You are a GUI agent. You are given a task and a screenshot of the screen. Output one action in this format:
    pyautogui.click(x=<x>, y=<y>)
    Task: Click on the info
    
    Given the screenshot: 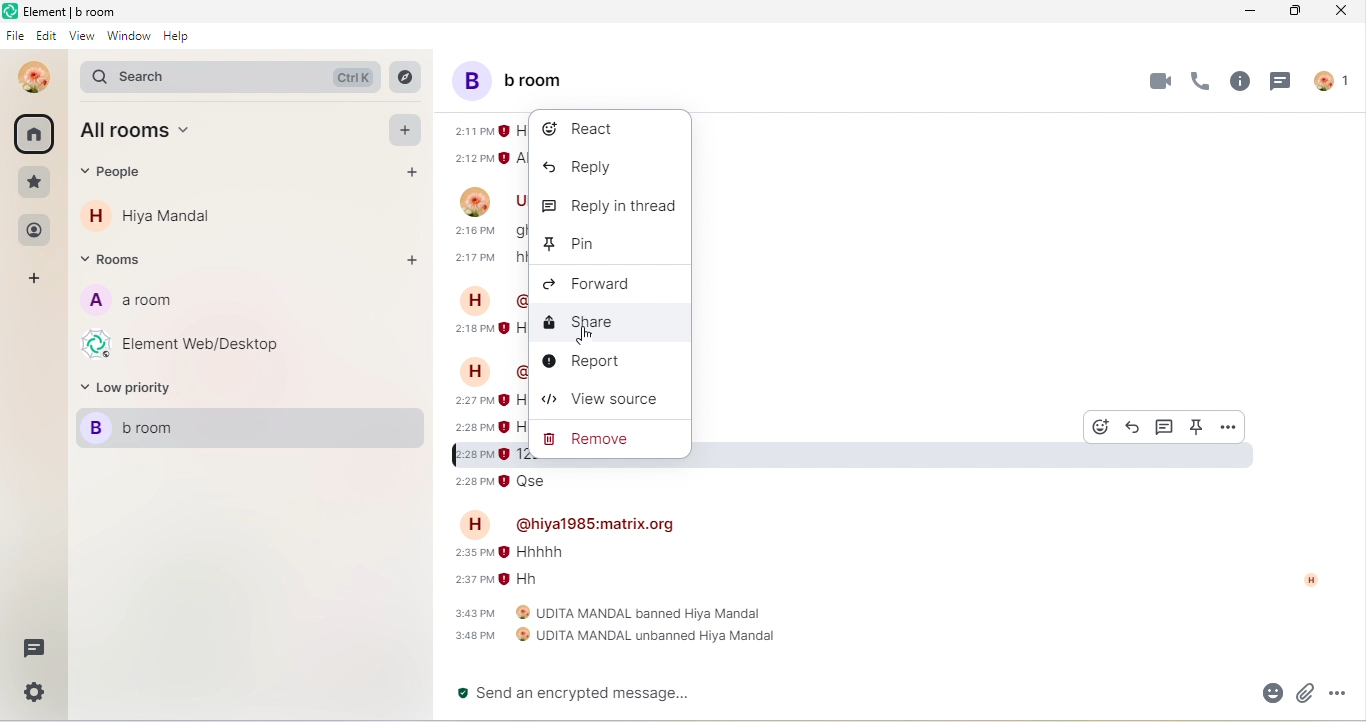 What is the action you would take?
    pyautogui.click(x=1238, y=85)
    